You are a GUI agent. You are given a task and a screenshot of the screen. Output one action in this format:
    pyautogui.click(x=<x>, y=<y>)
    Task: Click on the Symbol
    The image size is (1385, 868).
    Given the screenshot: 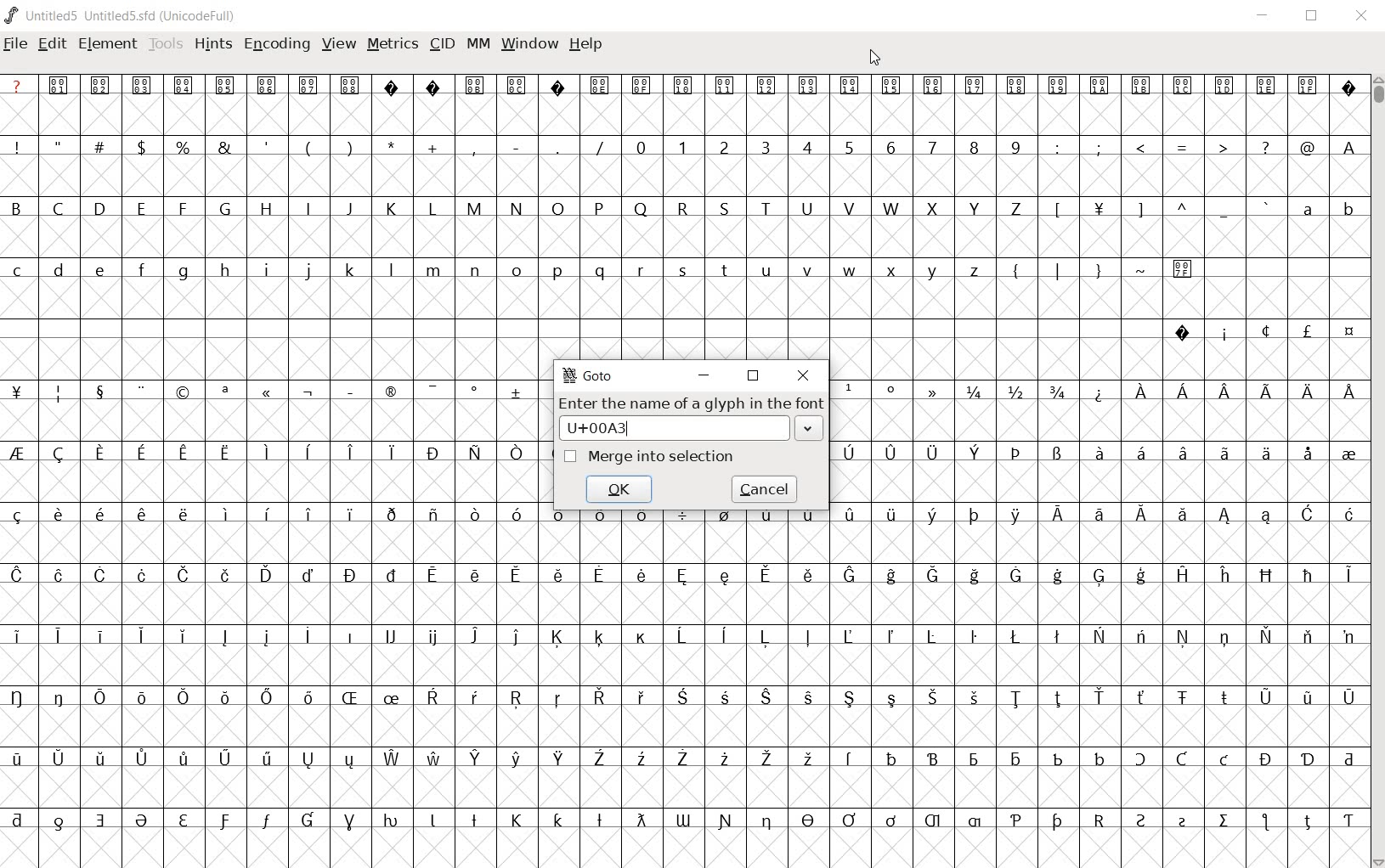 What is the action you would take?
    pyautogui.click(x=848, y=635)
    